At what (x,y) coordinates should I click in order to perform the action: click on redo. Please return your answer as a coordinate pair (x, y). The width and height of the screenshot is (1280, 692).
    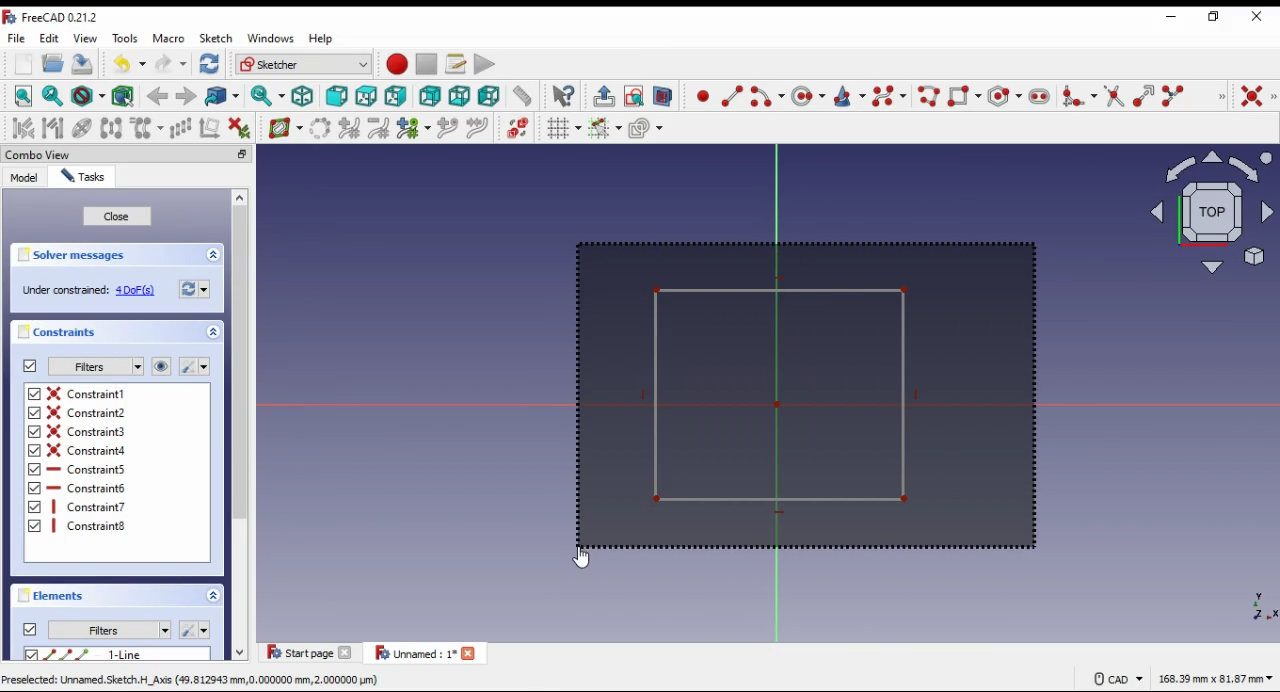
    Looking at the image, I should click on (171, 64).